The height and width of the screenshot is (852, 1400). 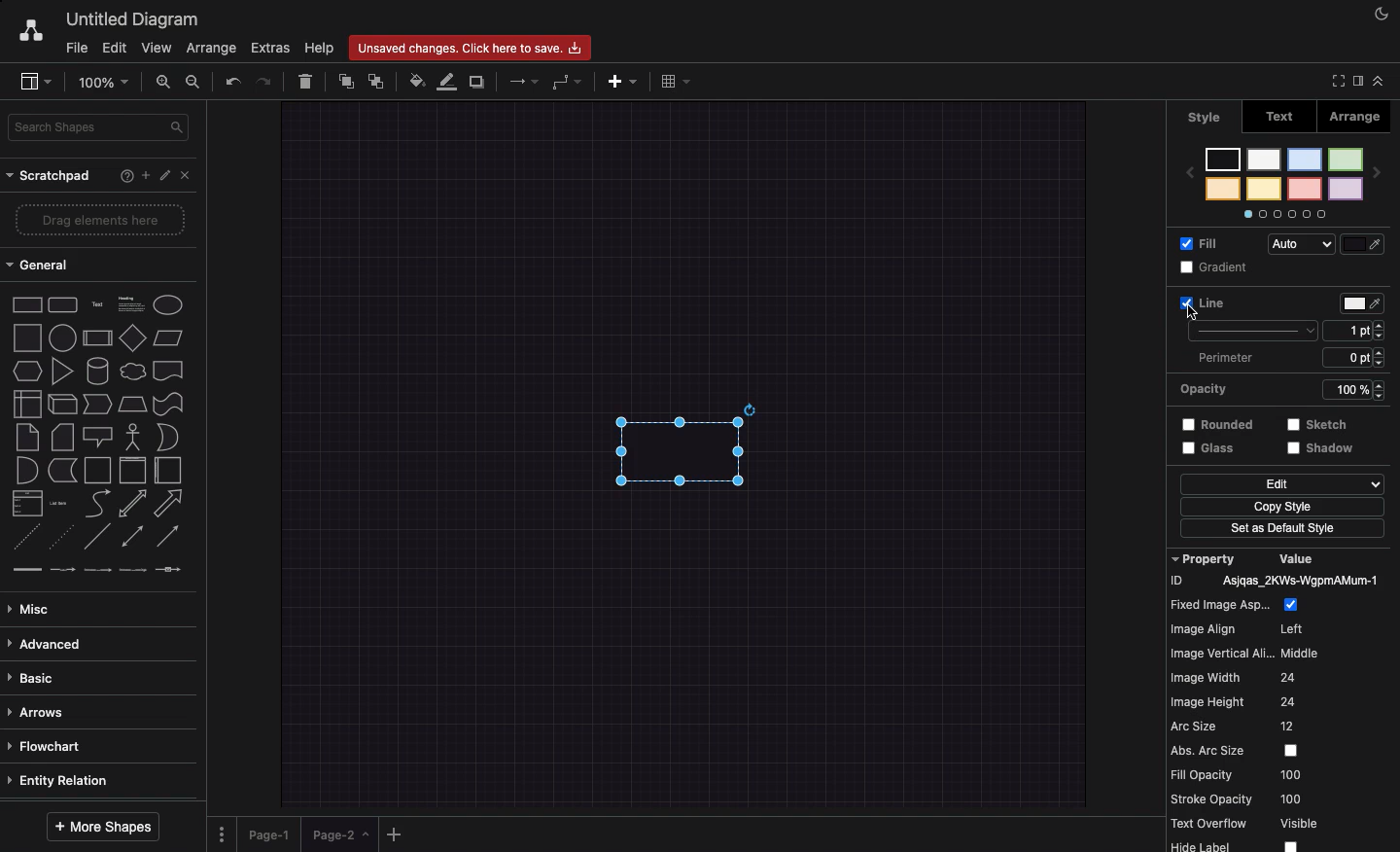 I want to click on Undo, so click(x=231, y=80).